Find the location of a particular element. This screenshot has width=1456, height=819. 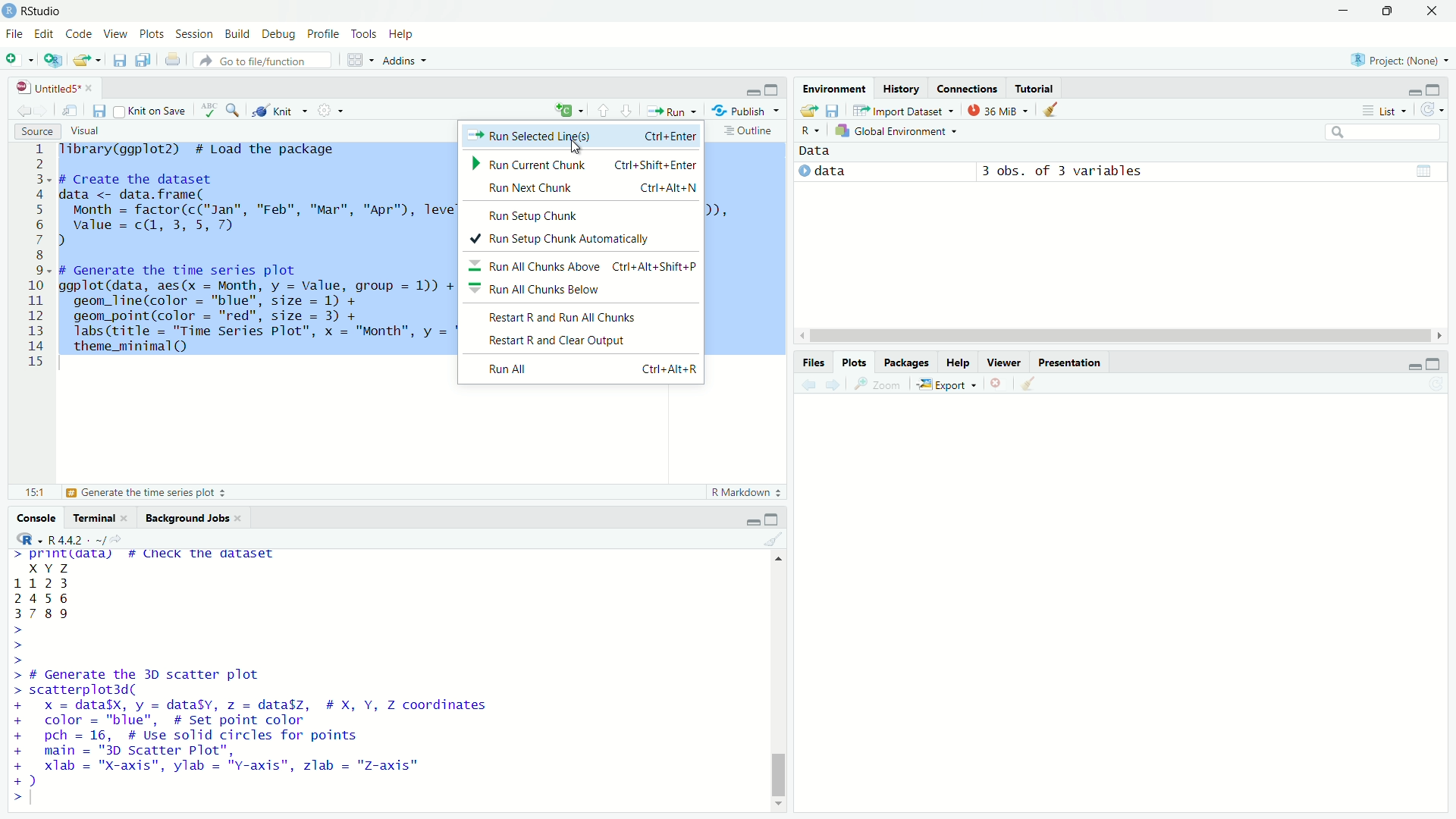

project: (None) is located at coordinates (1398, 57).